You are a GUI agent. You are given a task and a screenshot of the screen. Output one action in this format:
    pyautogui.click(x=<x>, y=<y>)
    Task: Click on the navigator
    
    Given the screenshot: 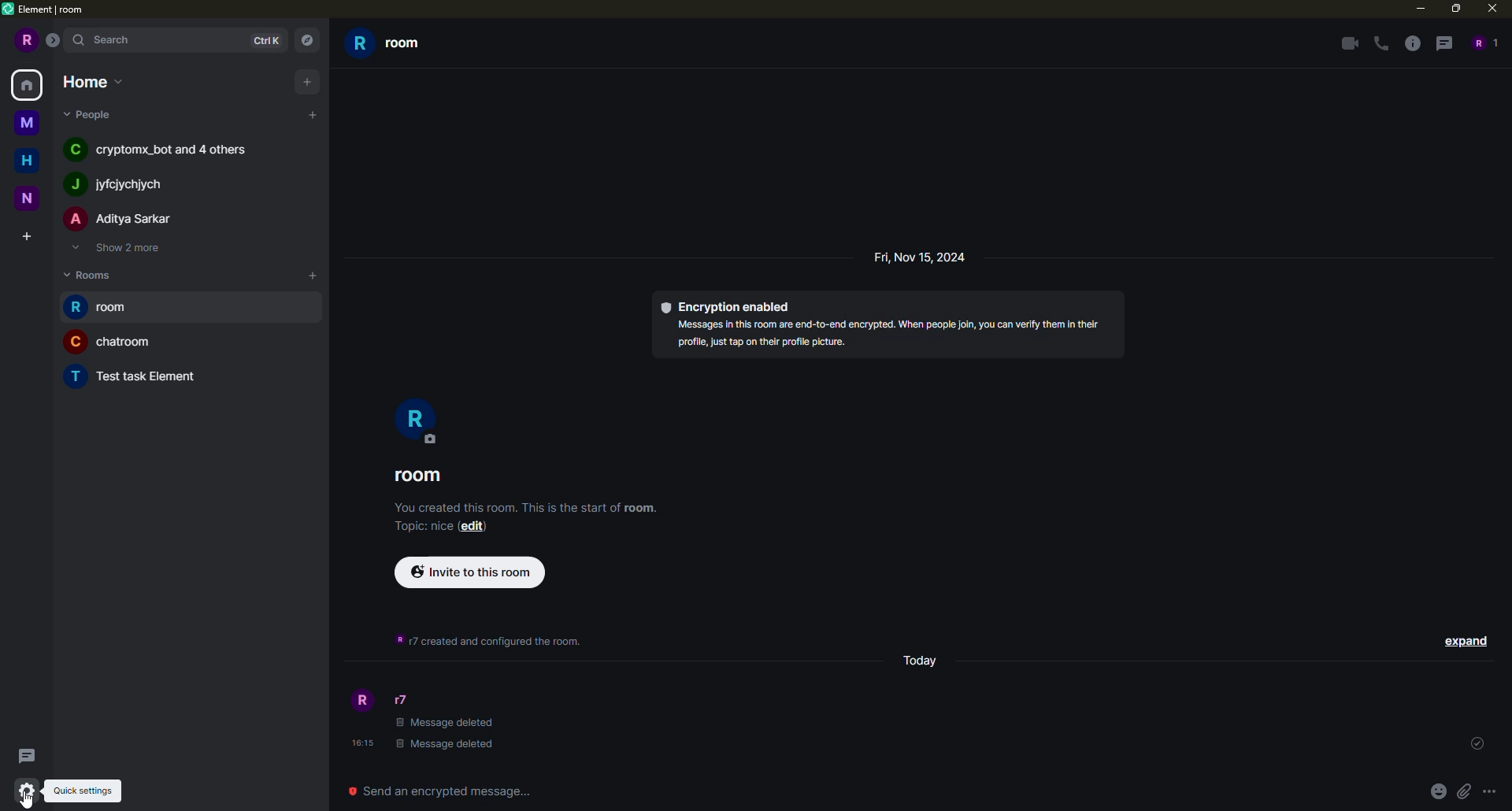 What is the action you would take?
    pyautogui.click(x=306, y=41)
    